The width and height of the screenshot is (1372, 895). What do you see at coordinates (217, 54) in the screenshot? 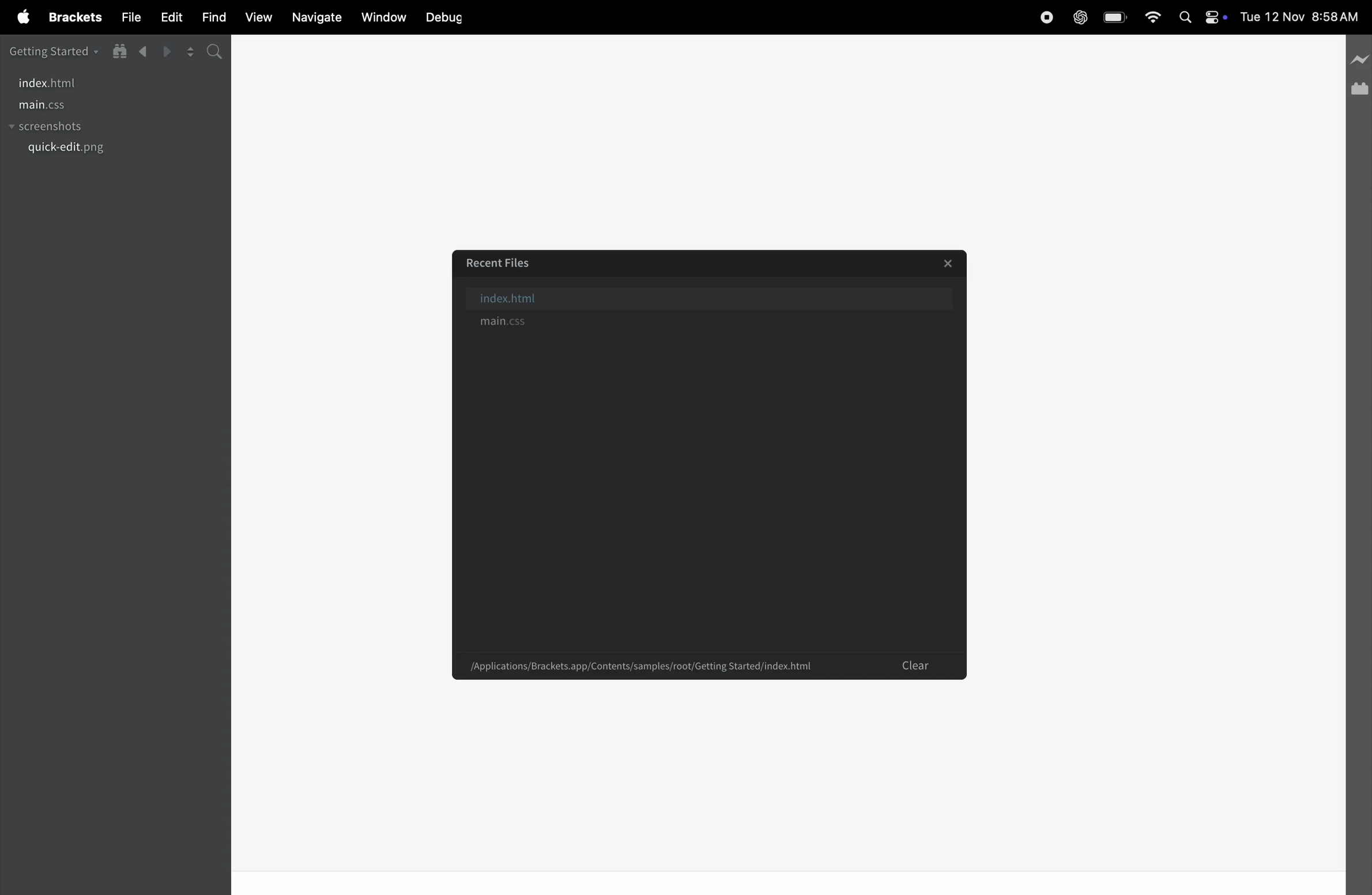
I see `search` at bounding box center [217, 54].